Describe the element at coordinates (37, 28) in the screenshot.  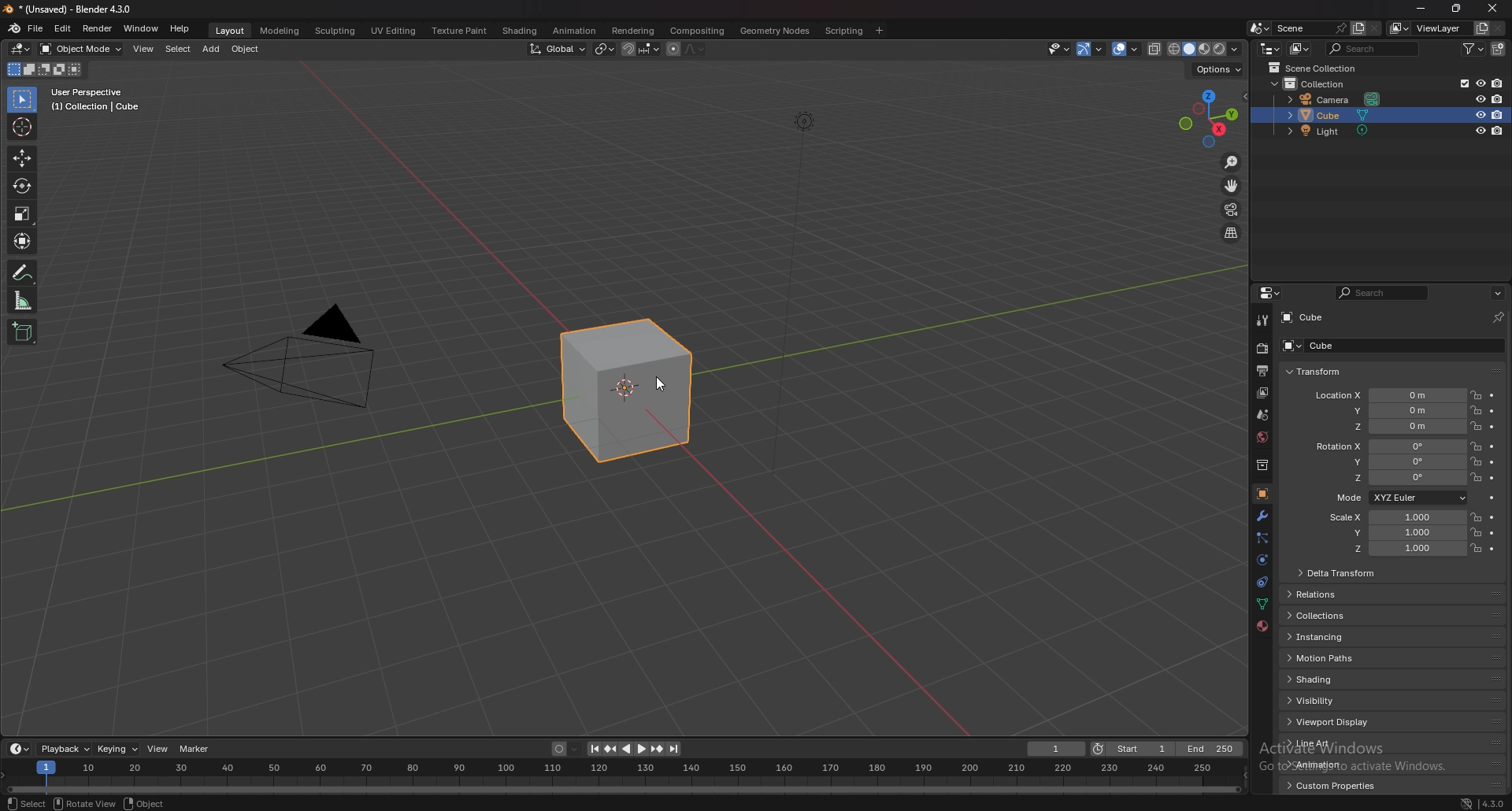
I see `file` at that location.